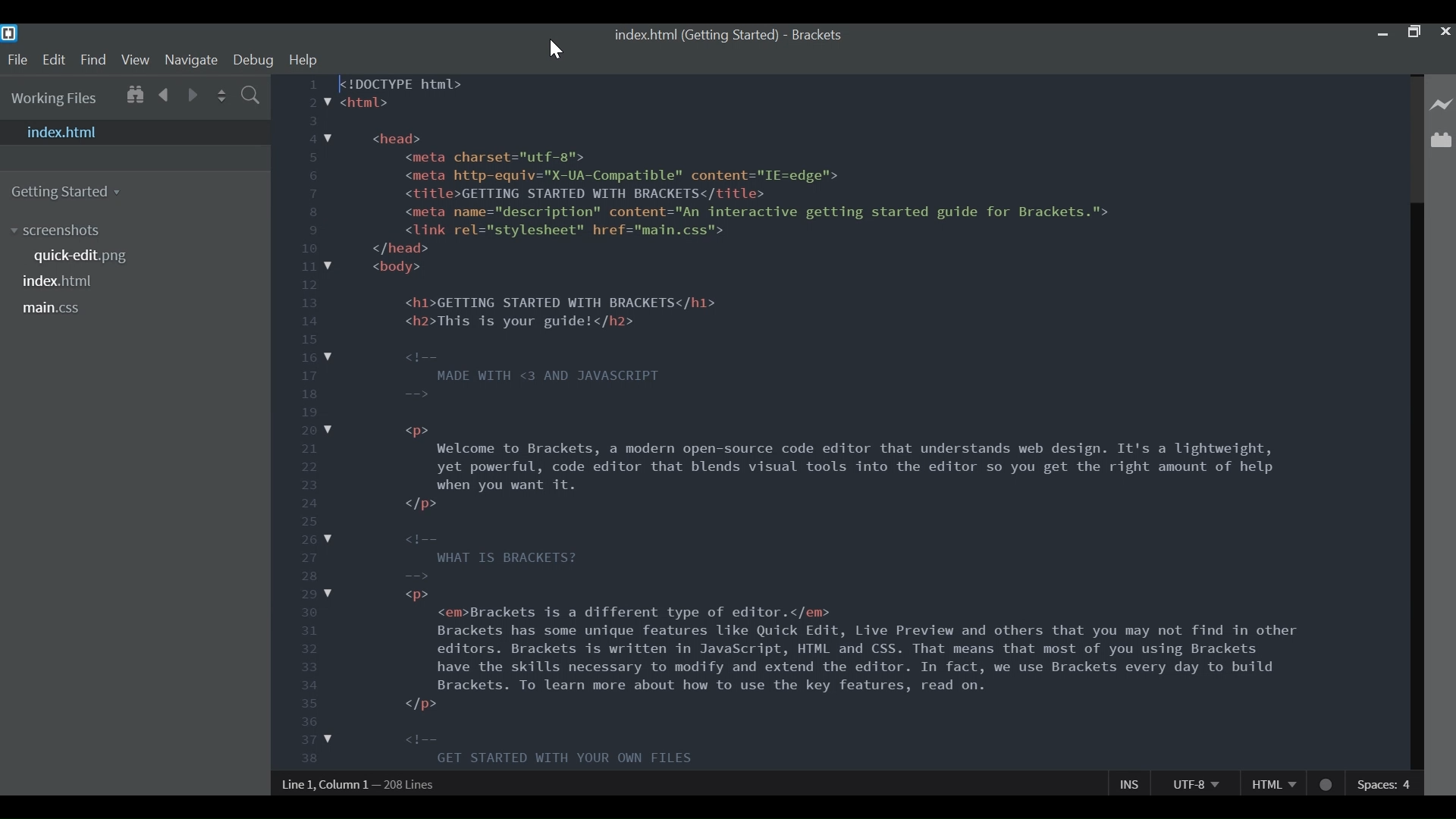 This screenshot has height=819, width=1456. I want to click on Close, so click(1447, 31).